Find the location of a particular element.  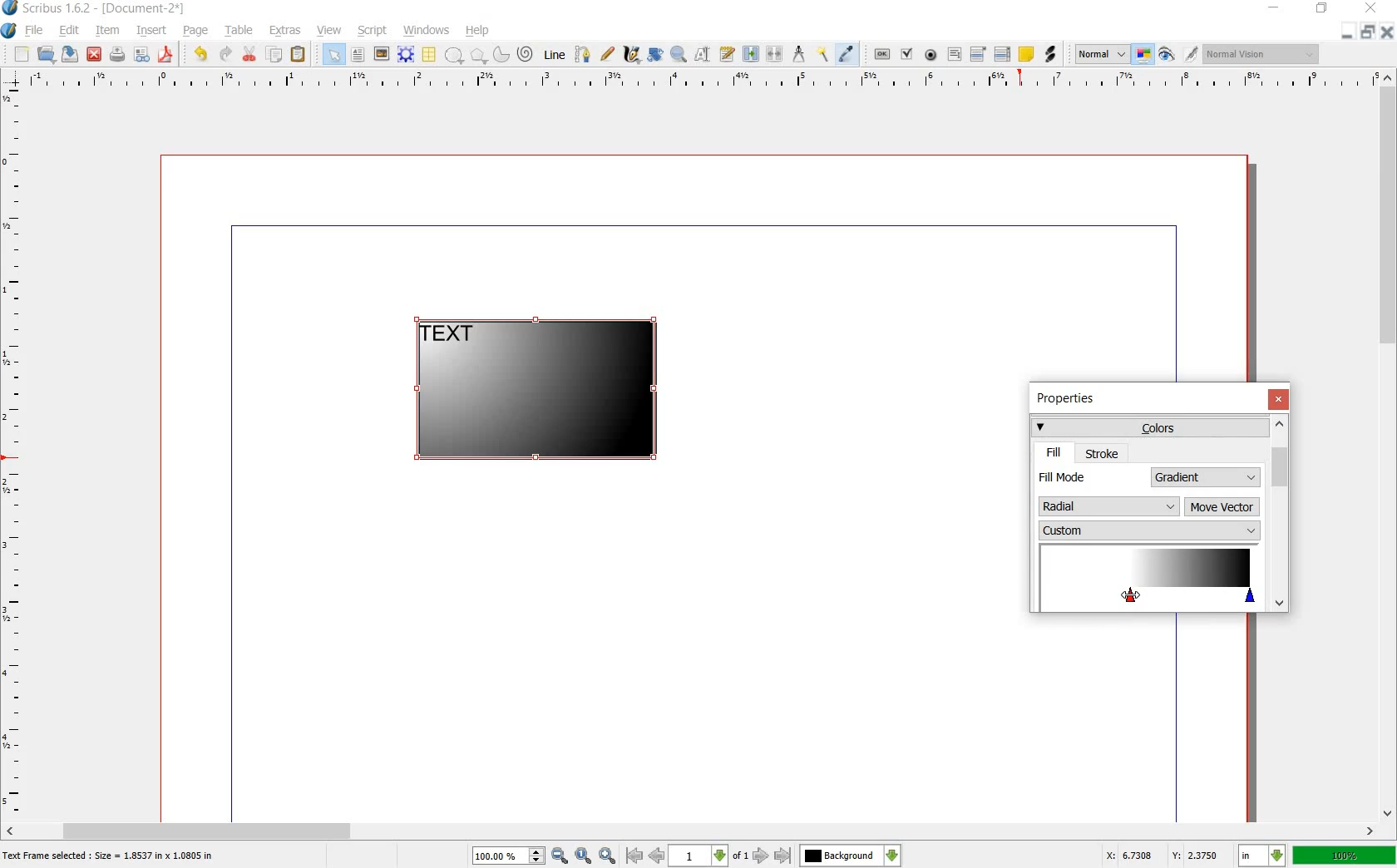

bezier curve is located at coordinates (584, 56).